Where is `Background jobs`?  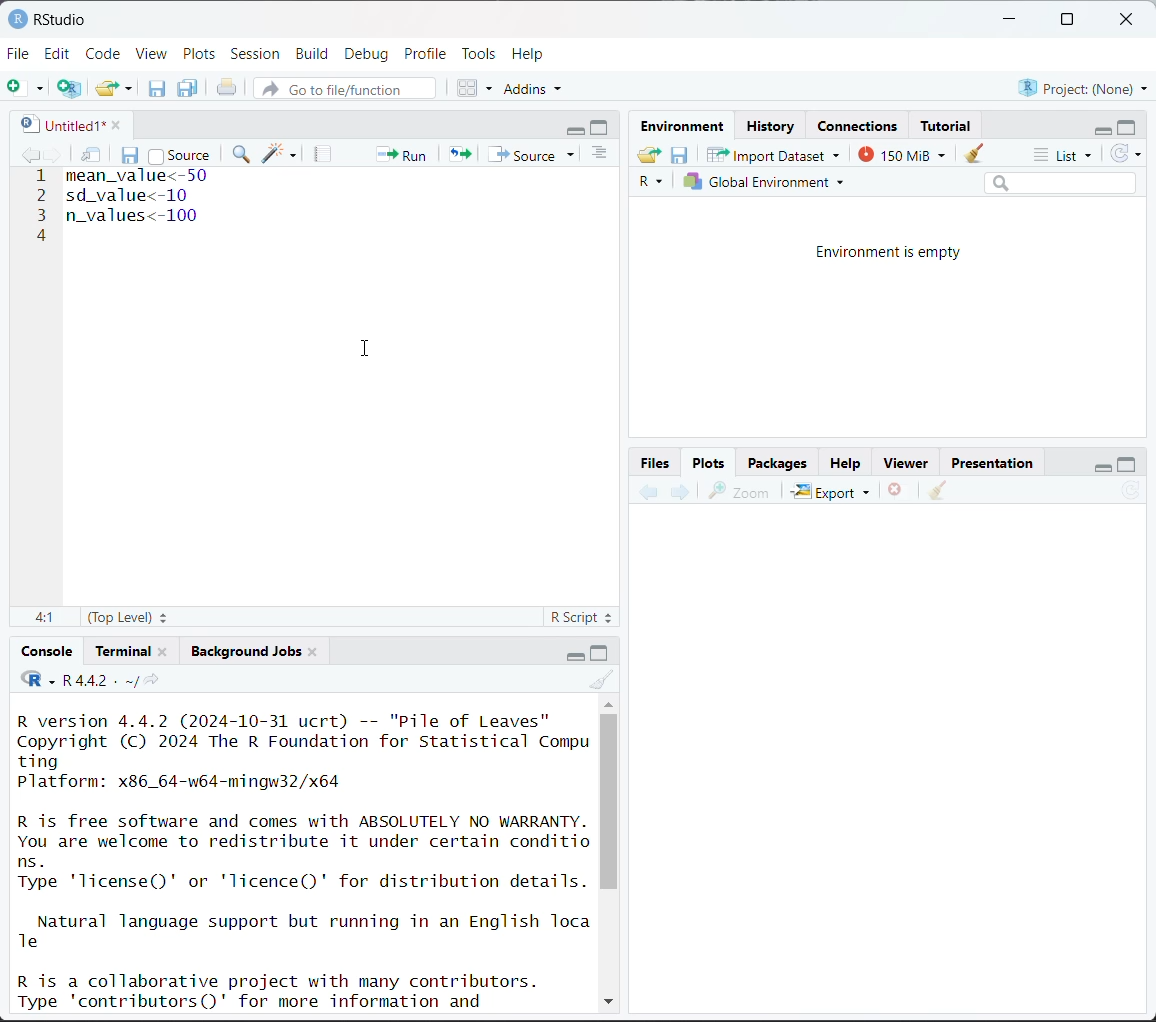 Background jobs is located at coordinates (246, 651).